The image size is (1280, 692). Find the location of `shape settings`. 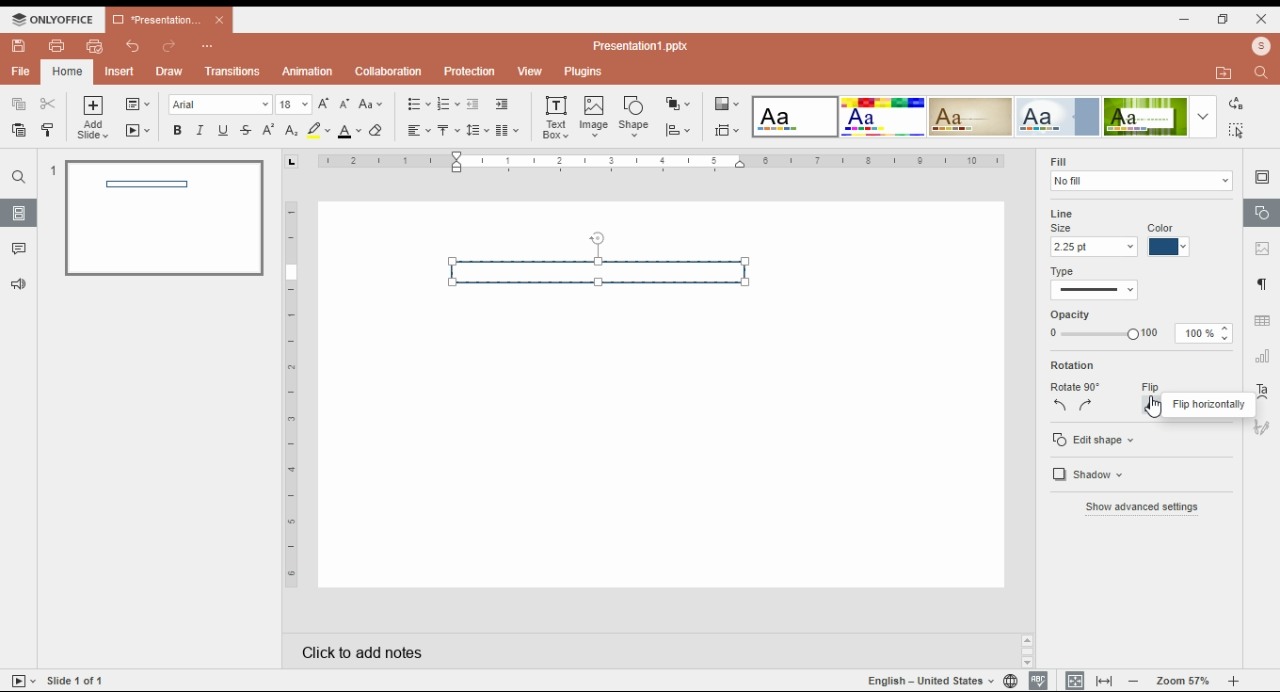

shape settings is located at coordinates (1261, 213).